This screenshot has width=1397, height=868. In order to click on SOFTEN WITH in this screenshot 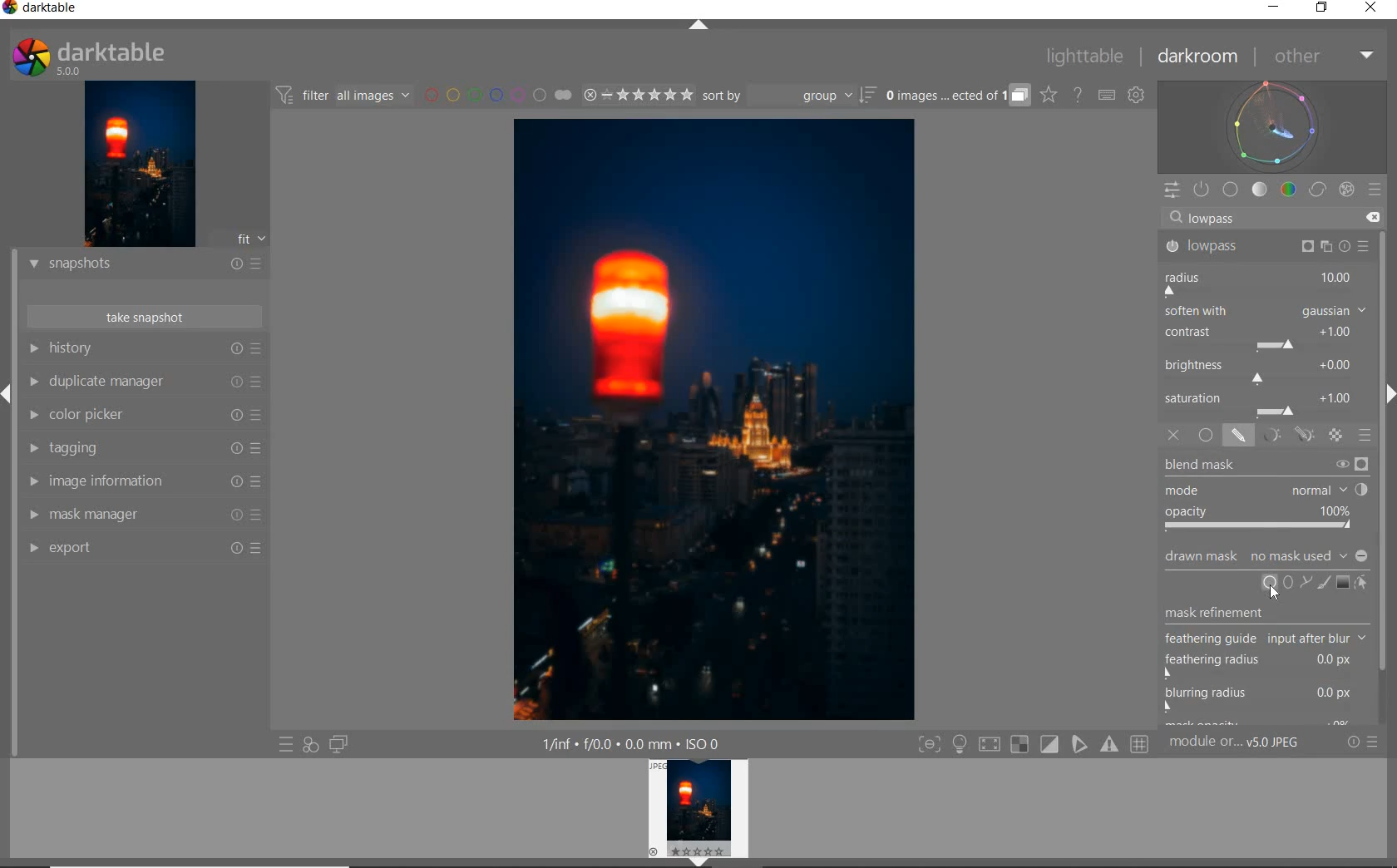, I will do `click(1266, 312)`.